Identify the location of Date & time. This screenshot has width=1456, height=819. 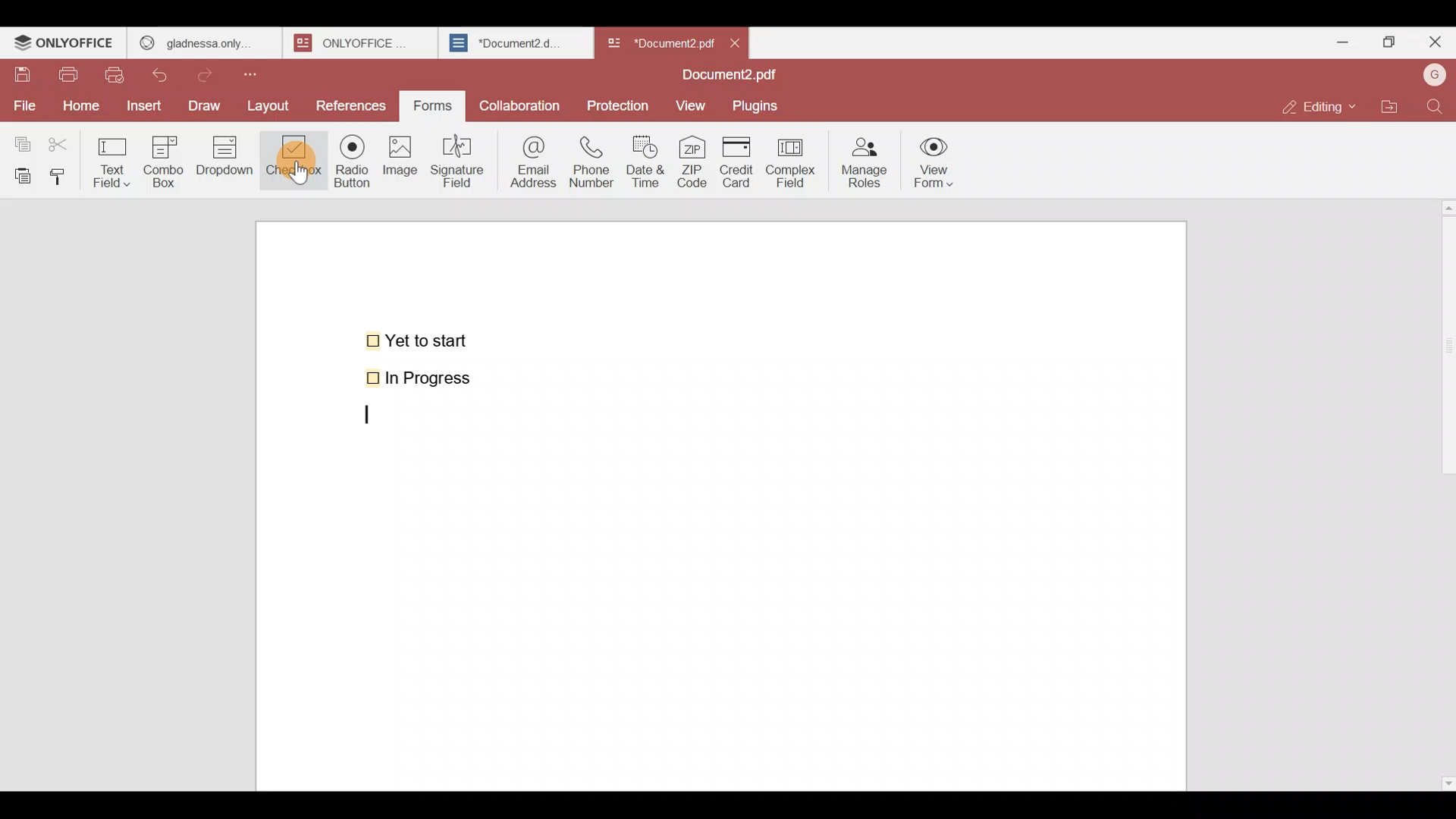
(649, 162).